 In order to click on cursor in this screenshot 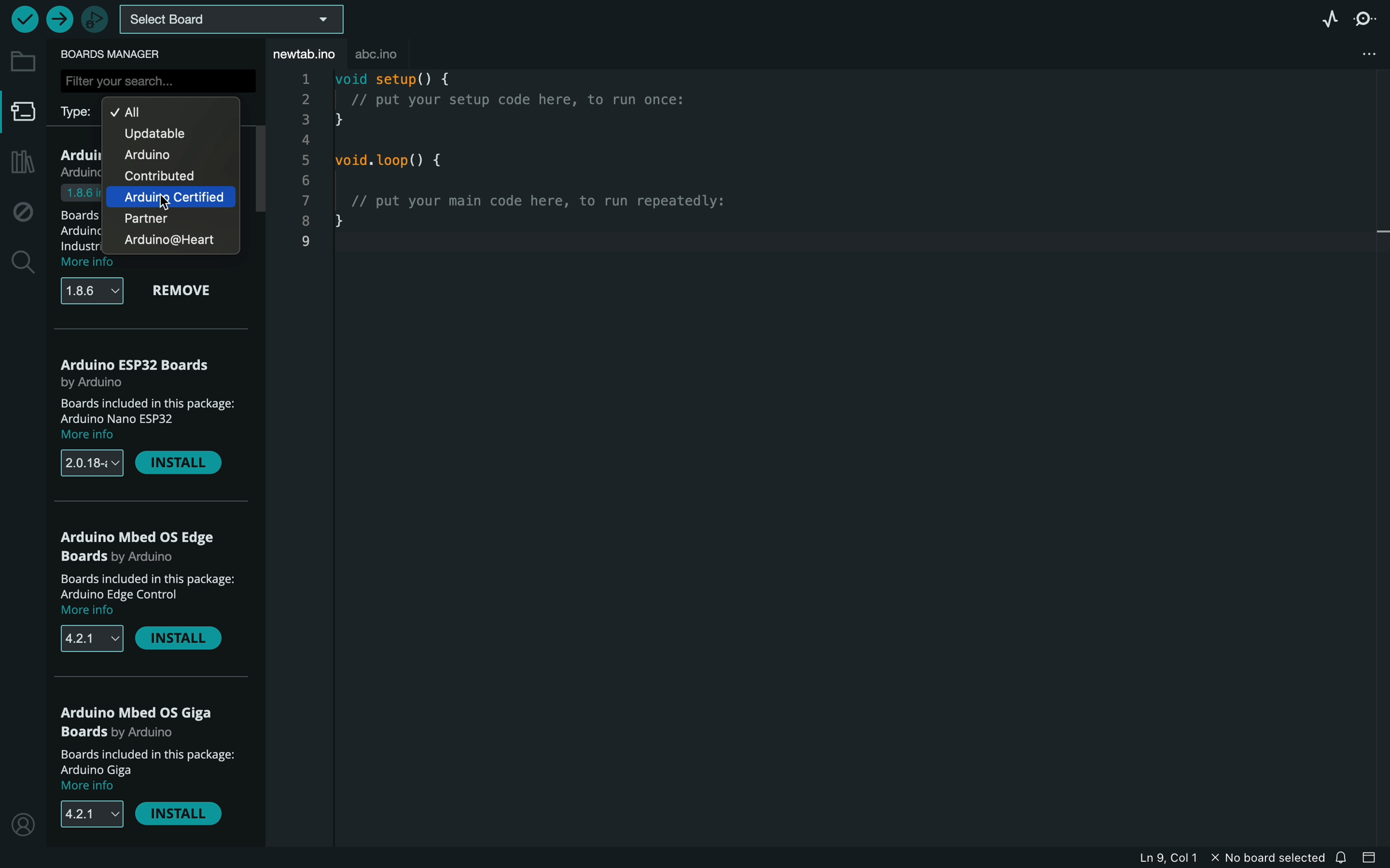, I will do `click(165, 203)`.